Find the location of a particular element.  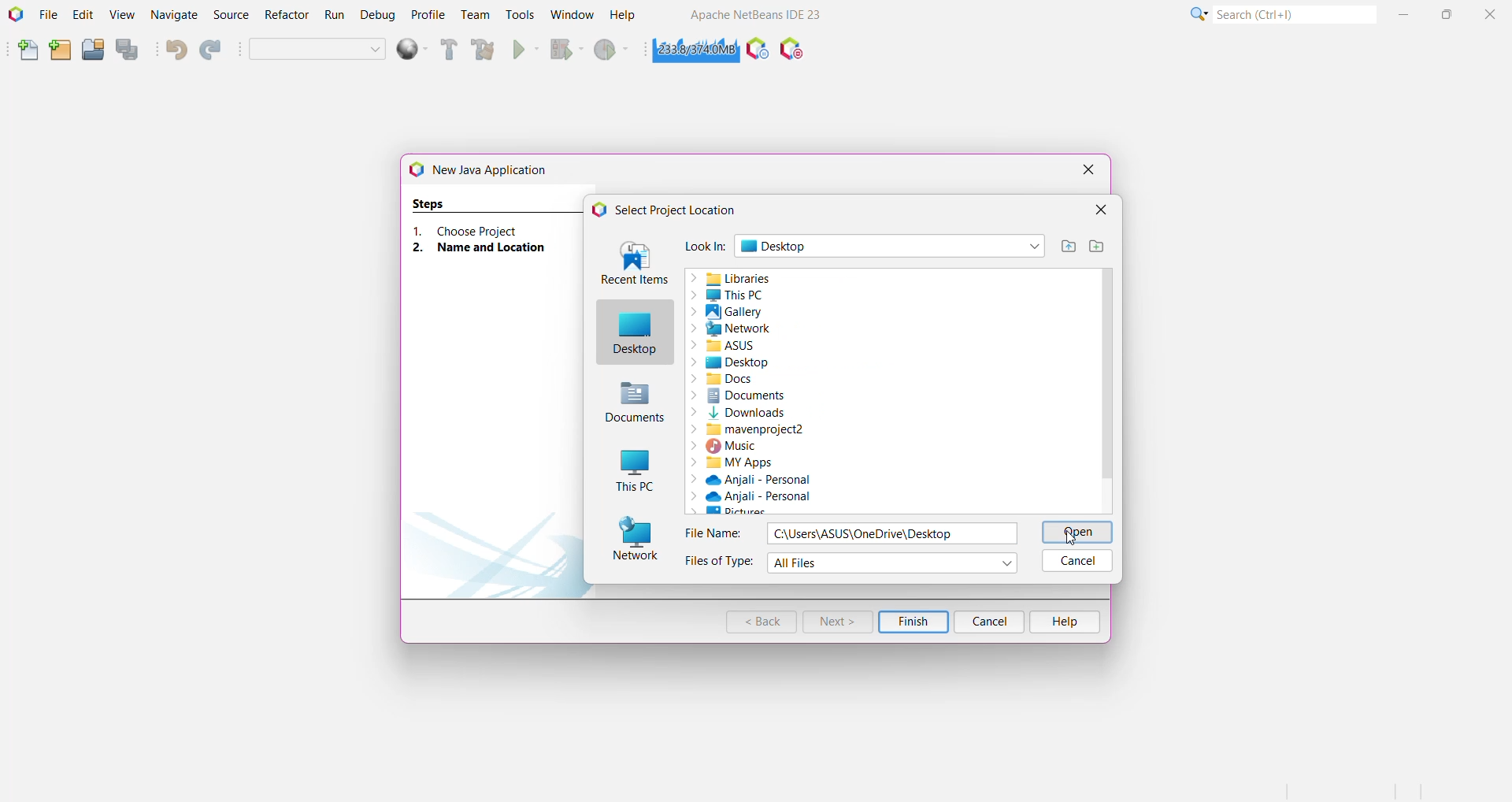

Select Project Location is located at coordinates (672, 210).